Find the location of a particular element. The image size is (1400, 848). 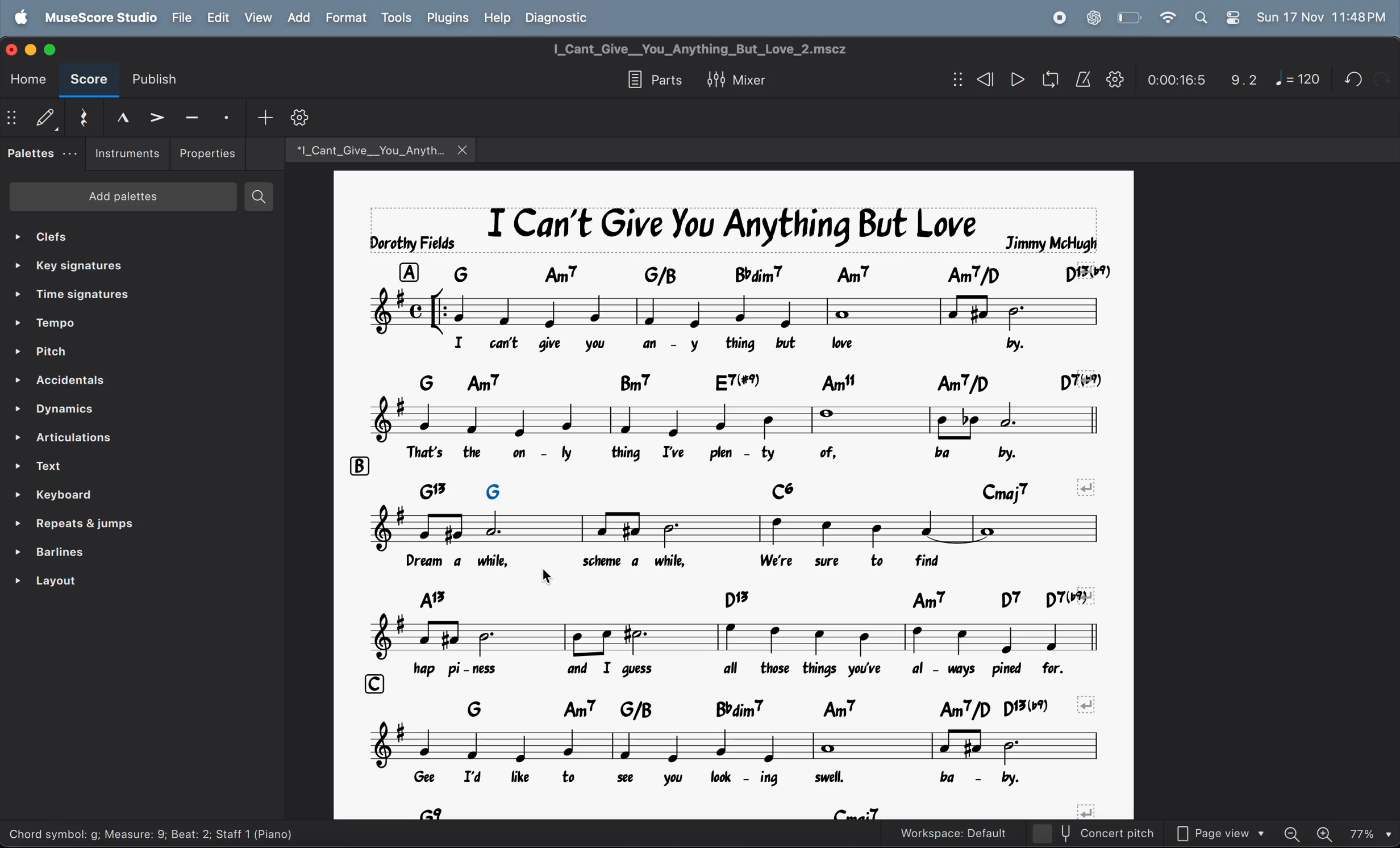

view is located at coordinates (259, 18).